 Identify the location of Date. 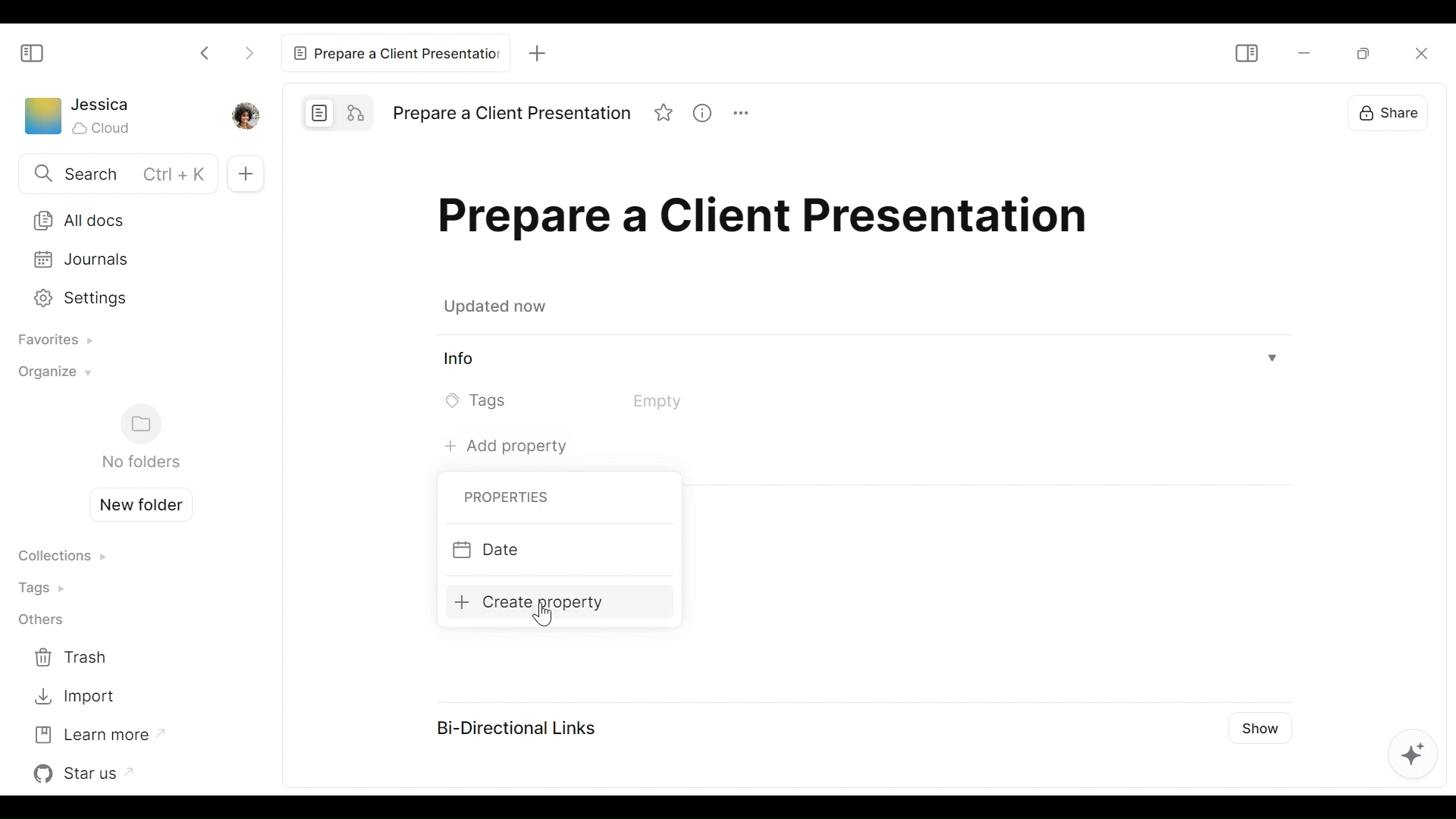
(544, 551).